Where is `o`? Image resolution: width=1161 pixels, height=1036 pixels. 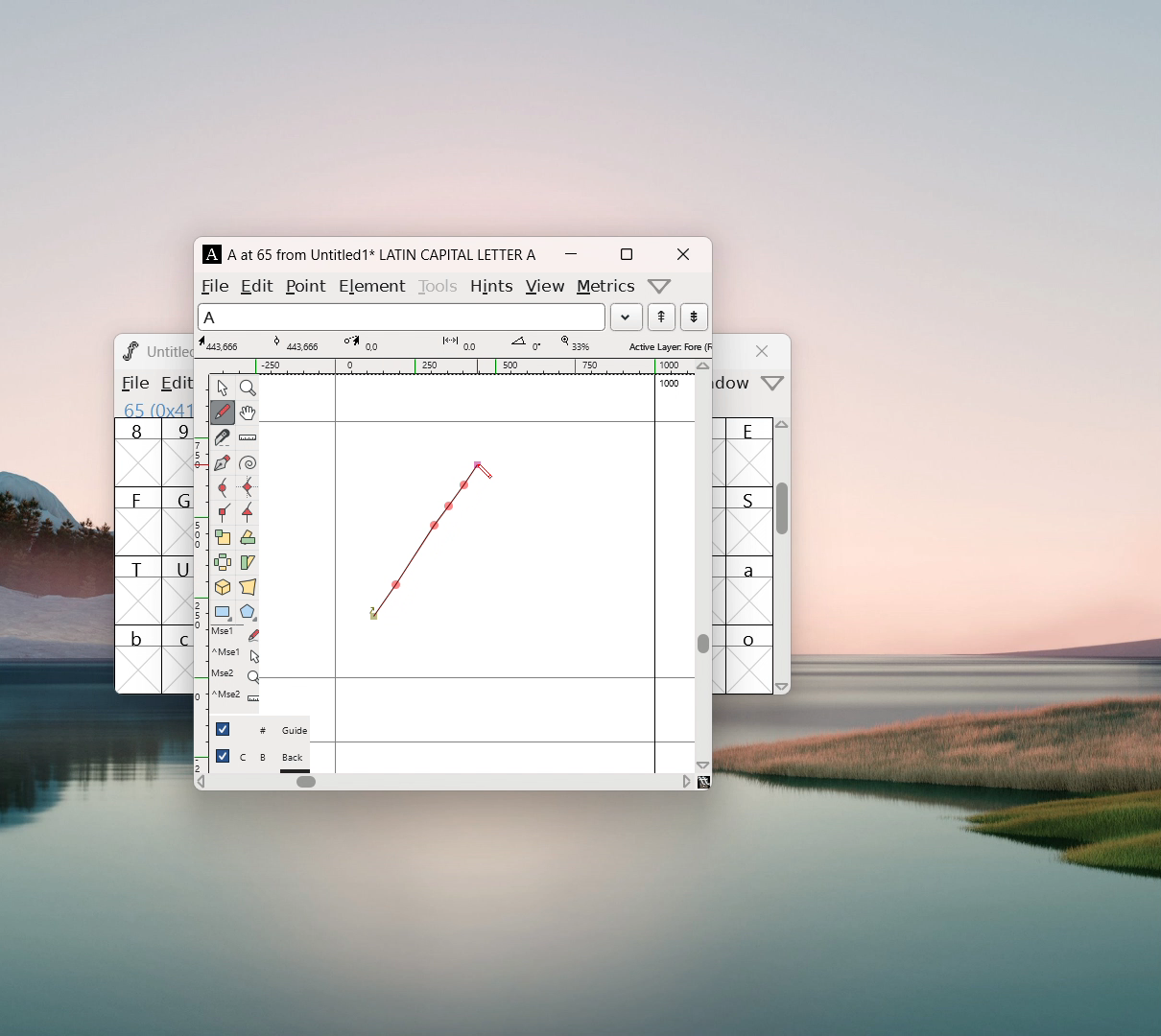
o is located at coordinates (751, 659).